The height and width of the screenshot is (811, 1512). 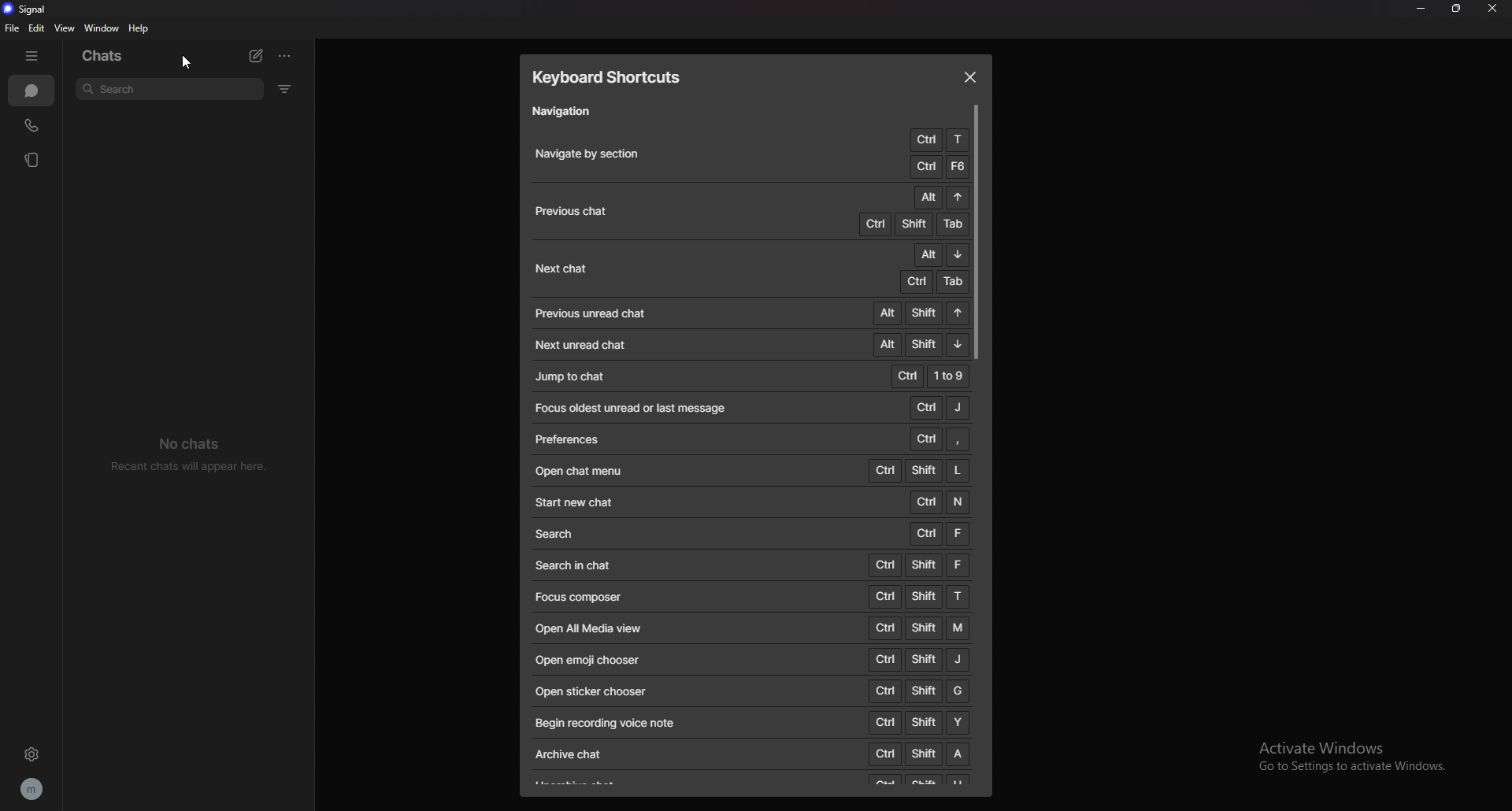 What do you see at coordinates (563, 268) in the screenshot?
I see `next chat` at bounding box center [563, 268].